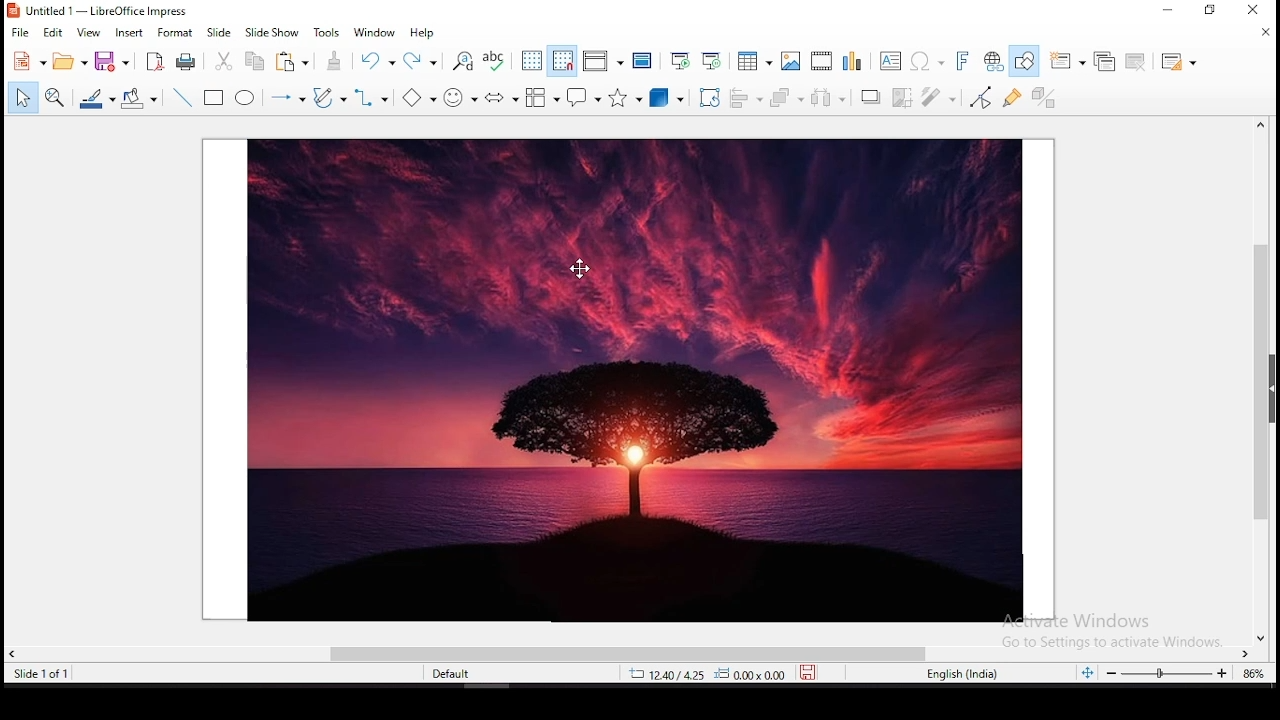 This screenshot has width=1280, height=720. What do you see at coordinates (97, 97) in the screenshot?
I see `line color` at bounding box center [97, 97].